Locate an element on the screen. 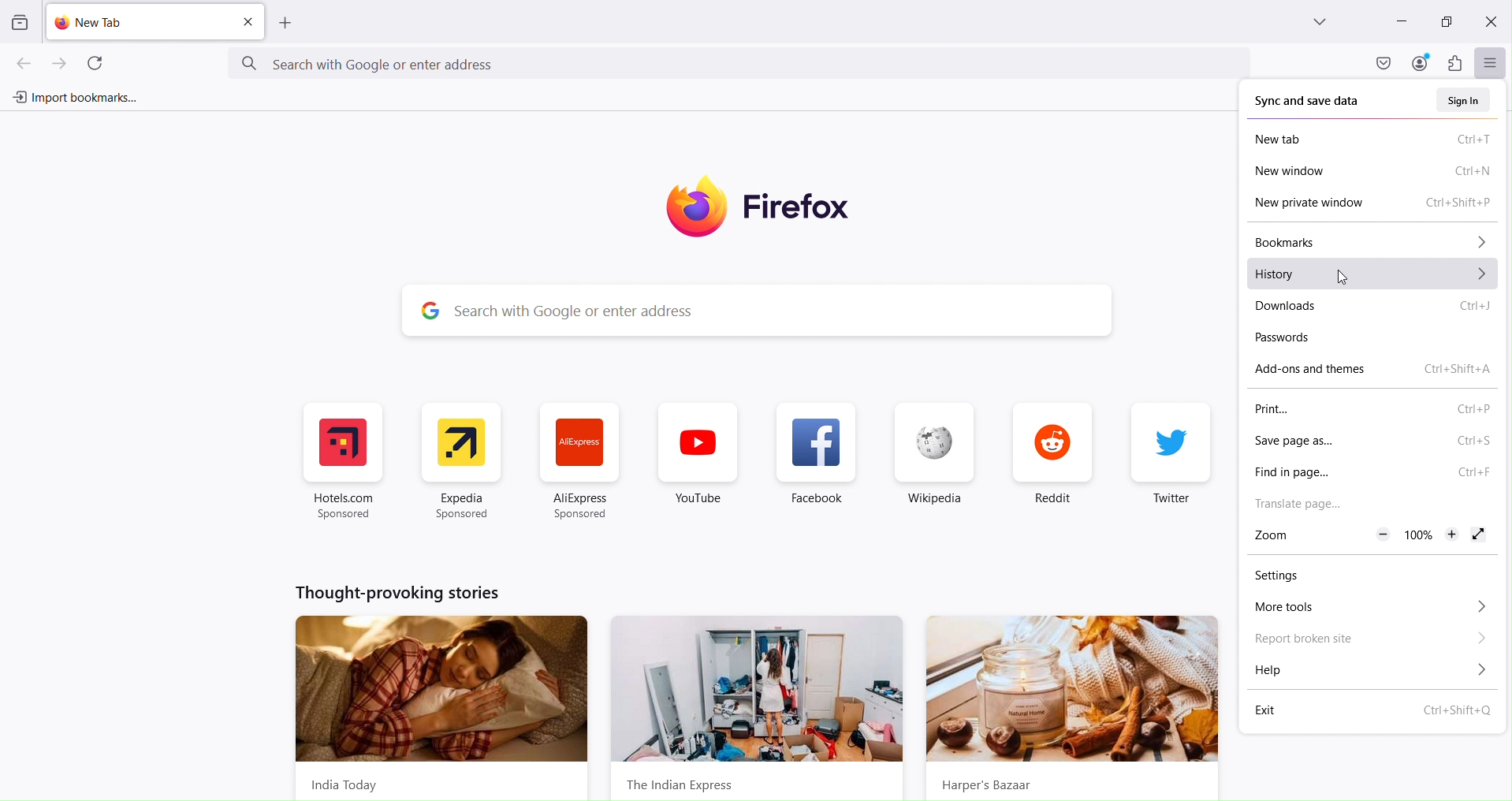 The width and height of the screenshot is (1512, 801). Maximize is located at coordinates (1446, 20).